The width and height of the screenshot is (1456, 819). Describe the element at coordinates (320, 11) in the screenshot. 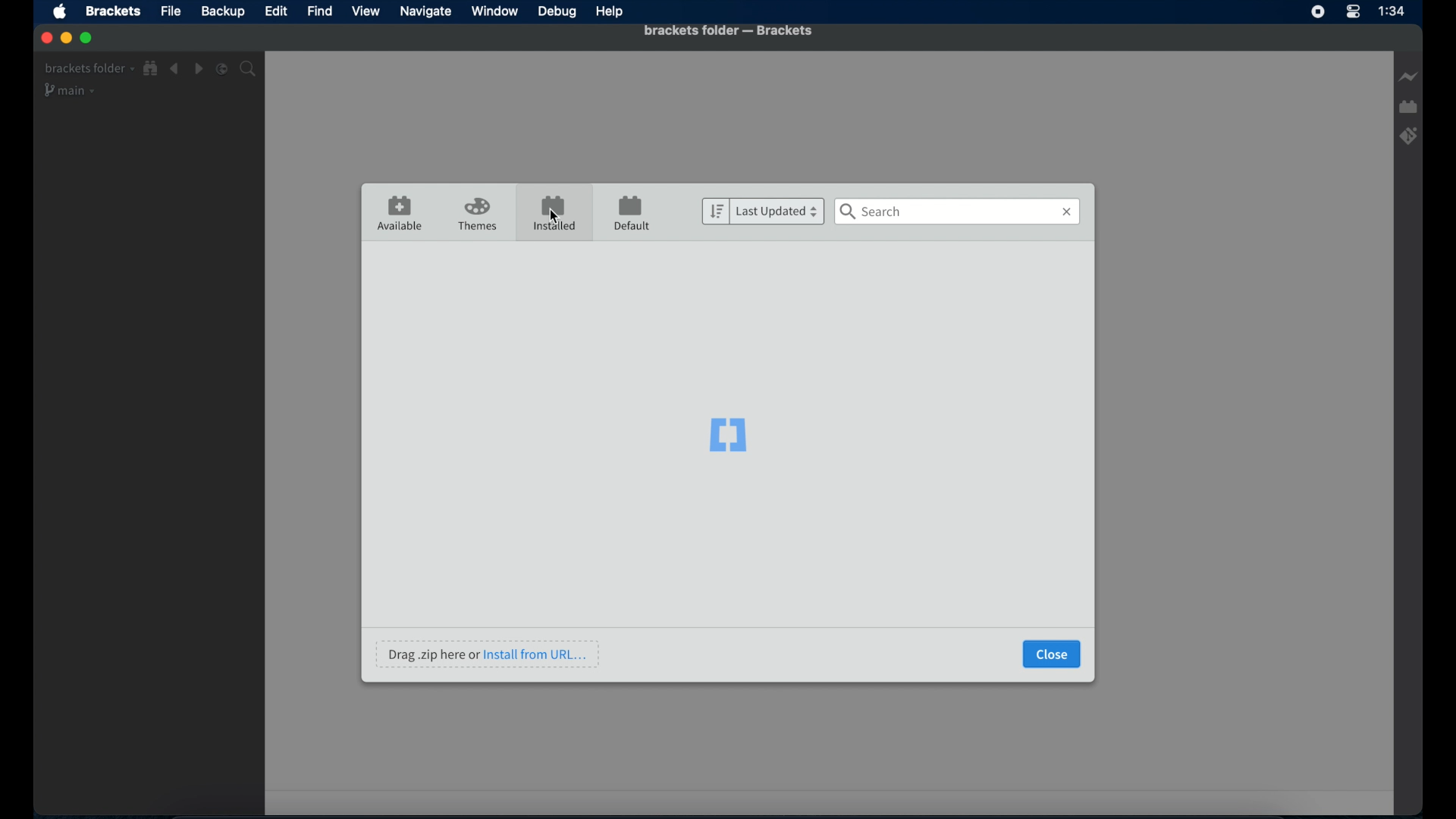

I see `Find` at that location.